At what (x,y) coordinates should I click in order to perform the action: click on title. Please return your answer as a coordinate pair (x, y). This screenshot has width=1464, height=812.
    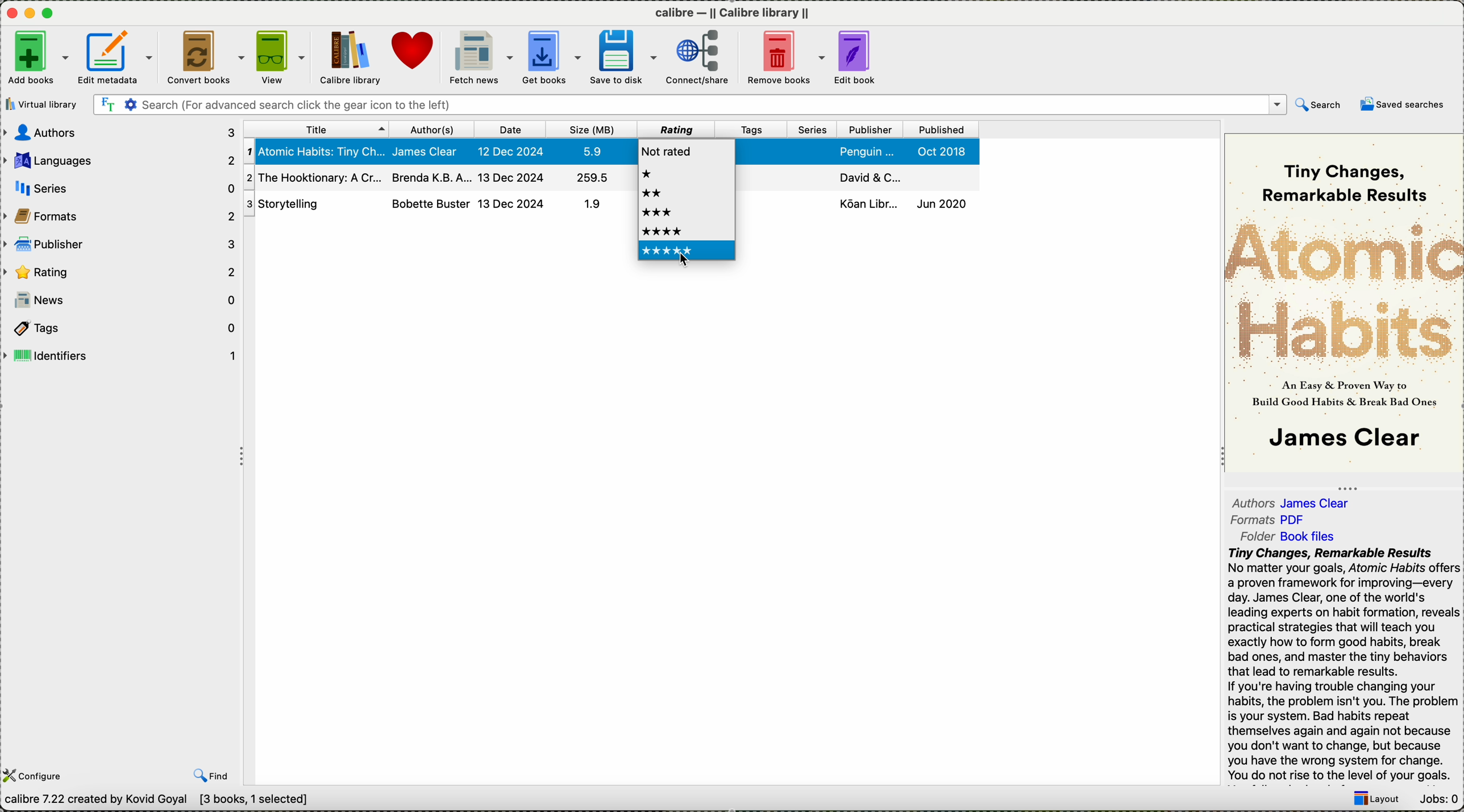
    Looking at the image, I should click on (315, 128).